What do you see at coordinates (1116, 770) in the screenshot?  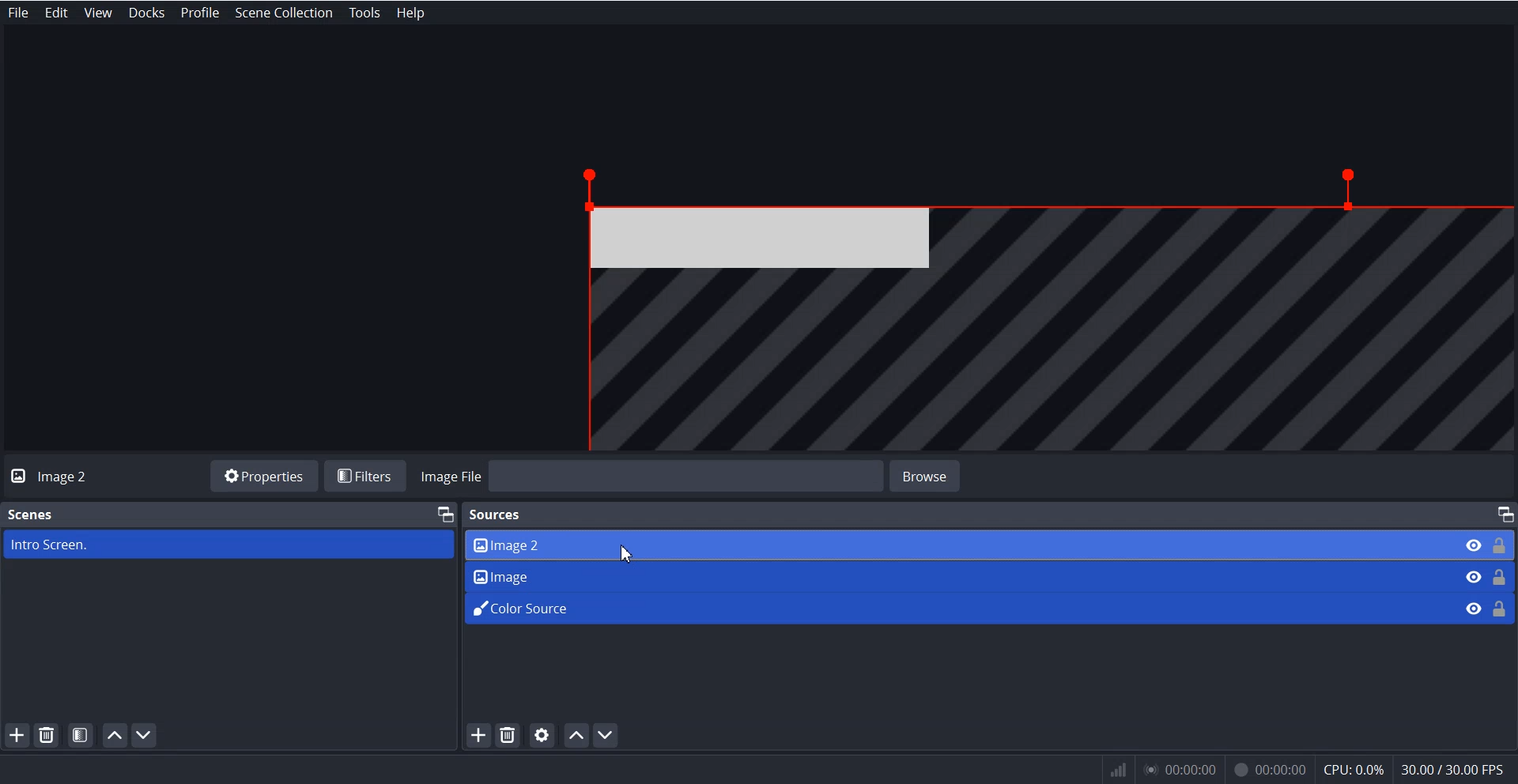 I see `network` at bounding box center [1116, 770].